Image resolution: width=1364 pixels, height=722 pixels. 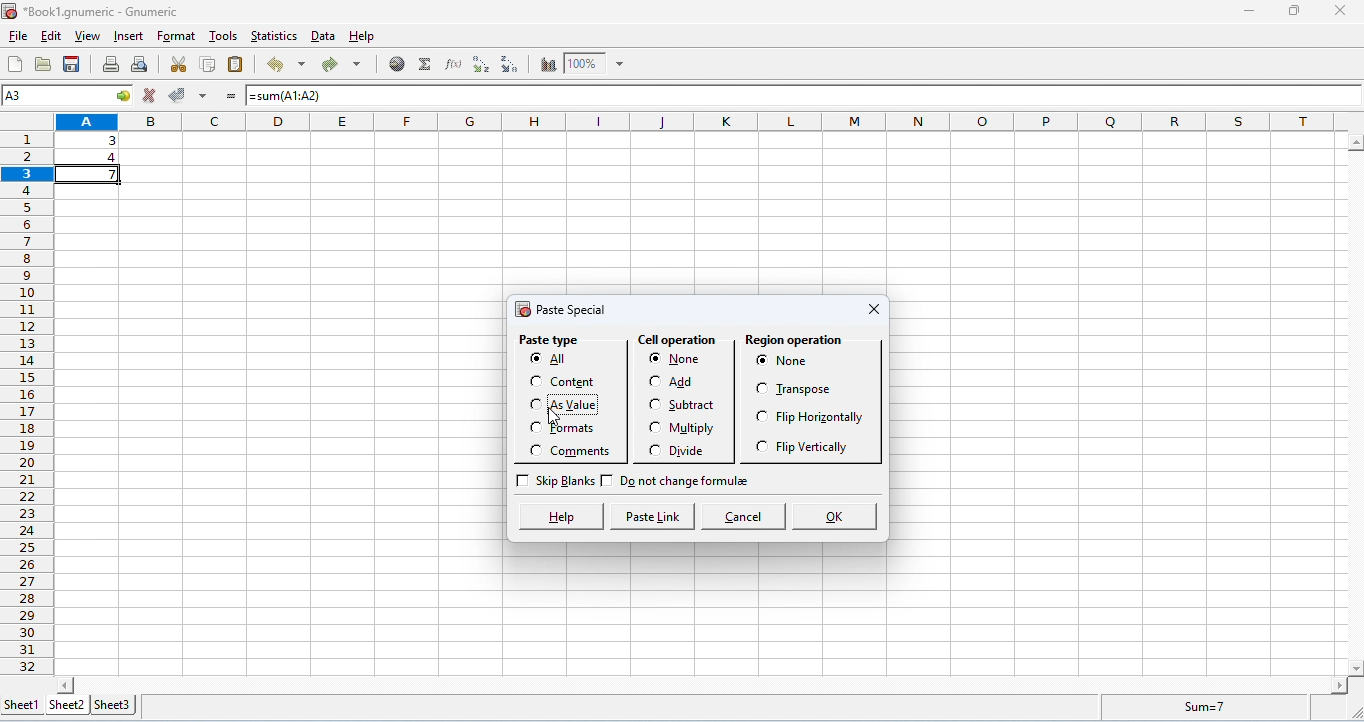 What do you see at coordinates (577, 404) in the screenshot?
I see `as value` at bounding box center [577, 404].